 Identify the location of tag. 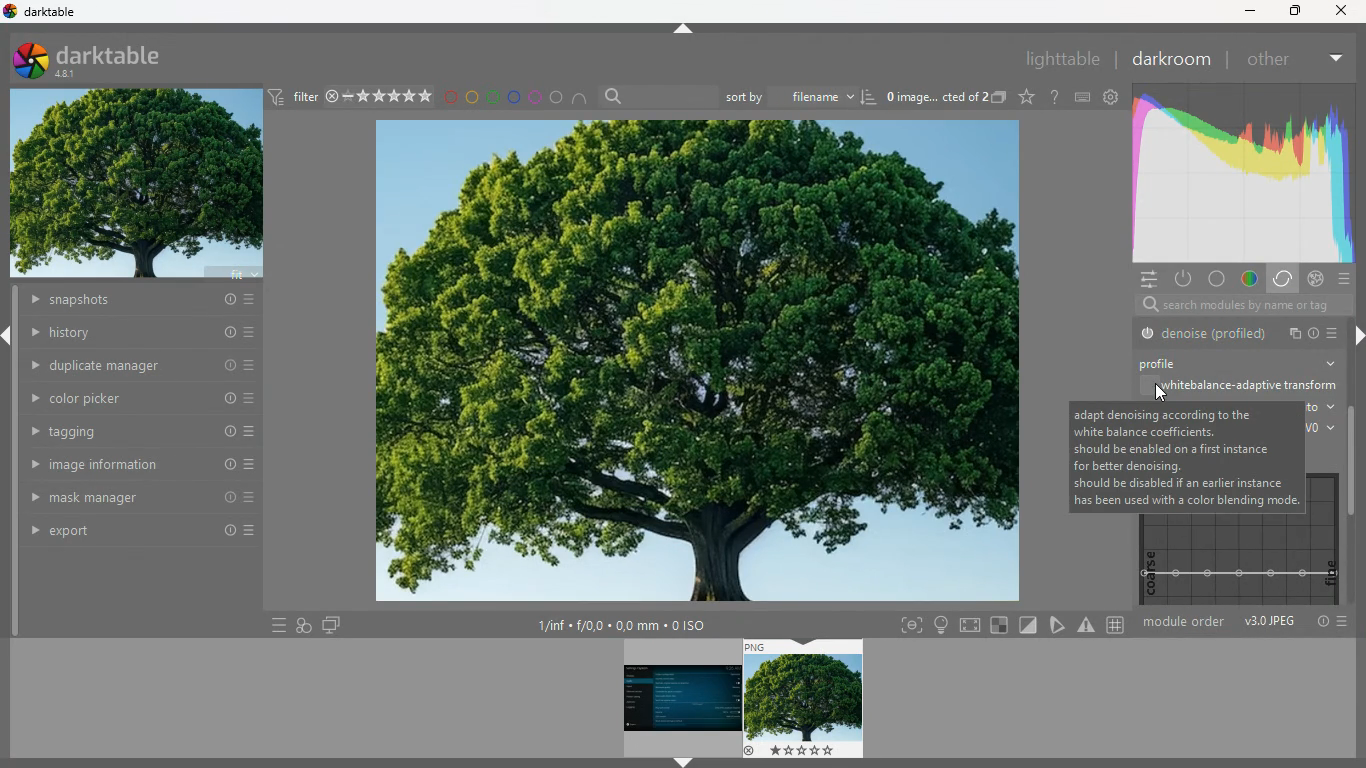
(1056, 624).